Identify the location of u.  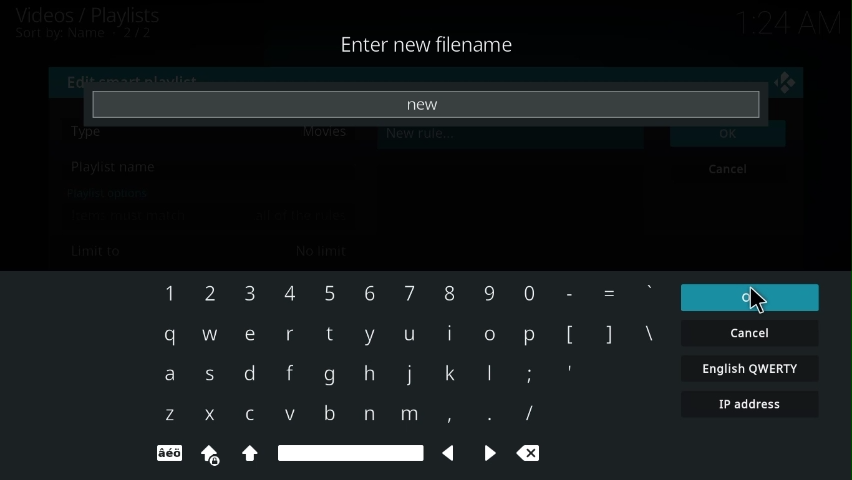
(410, 334).